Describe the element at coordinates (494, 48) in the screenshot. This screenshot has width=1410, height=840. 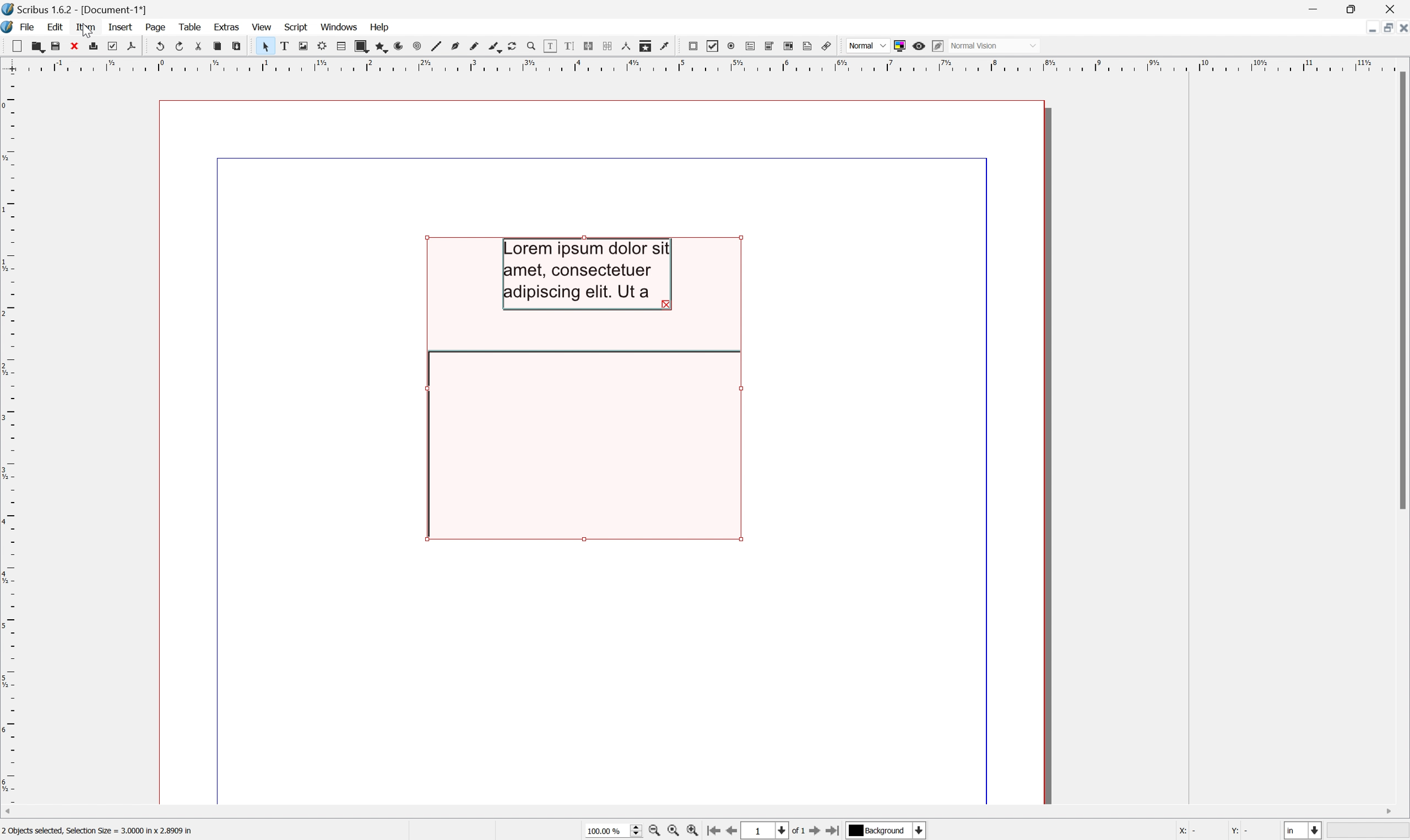
I see `Calligraphic line` at that location.